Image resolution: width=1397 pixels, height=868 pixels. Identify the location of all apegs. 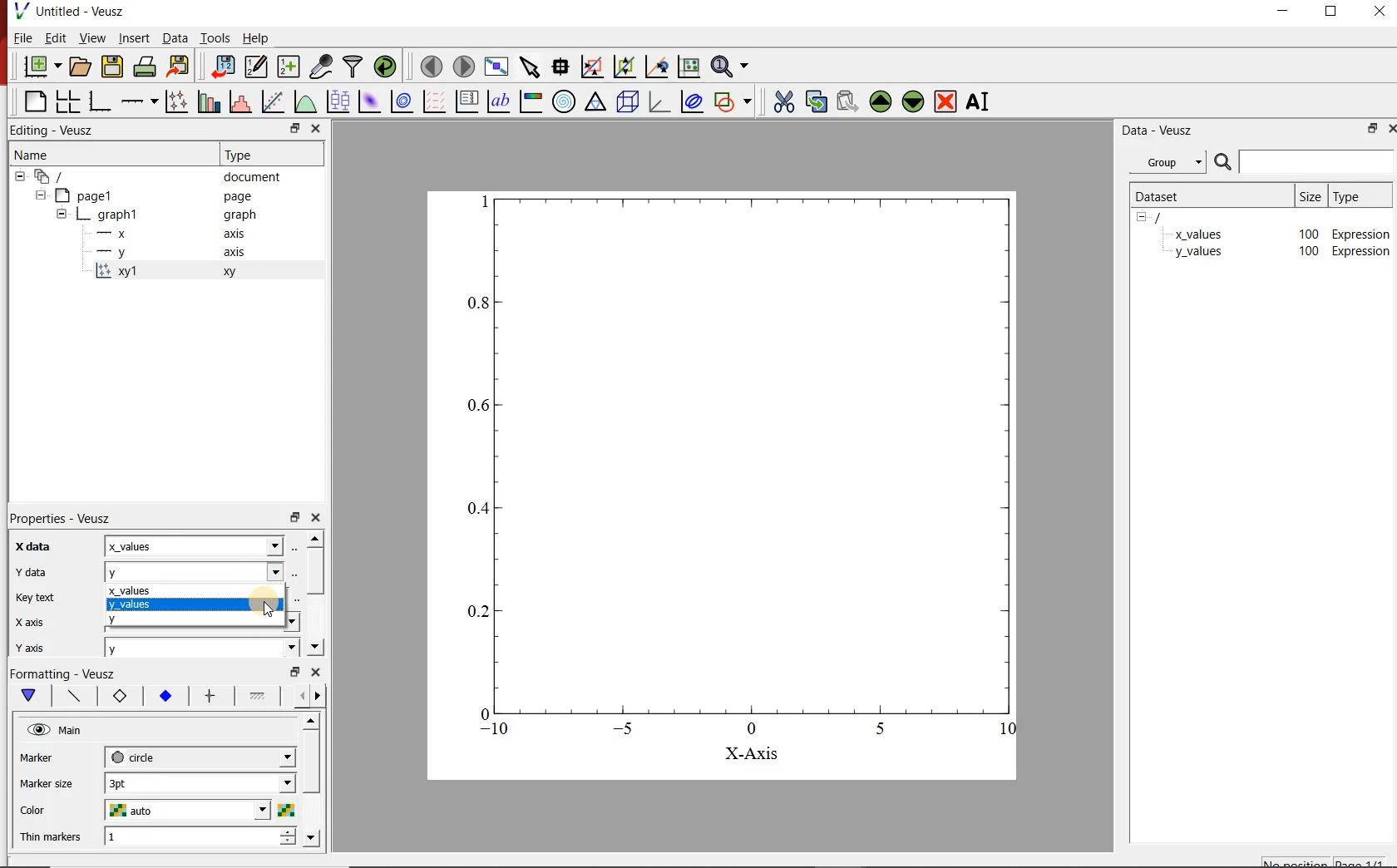
(58, 176).